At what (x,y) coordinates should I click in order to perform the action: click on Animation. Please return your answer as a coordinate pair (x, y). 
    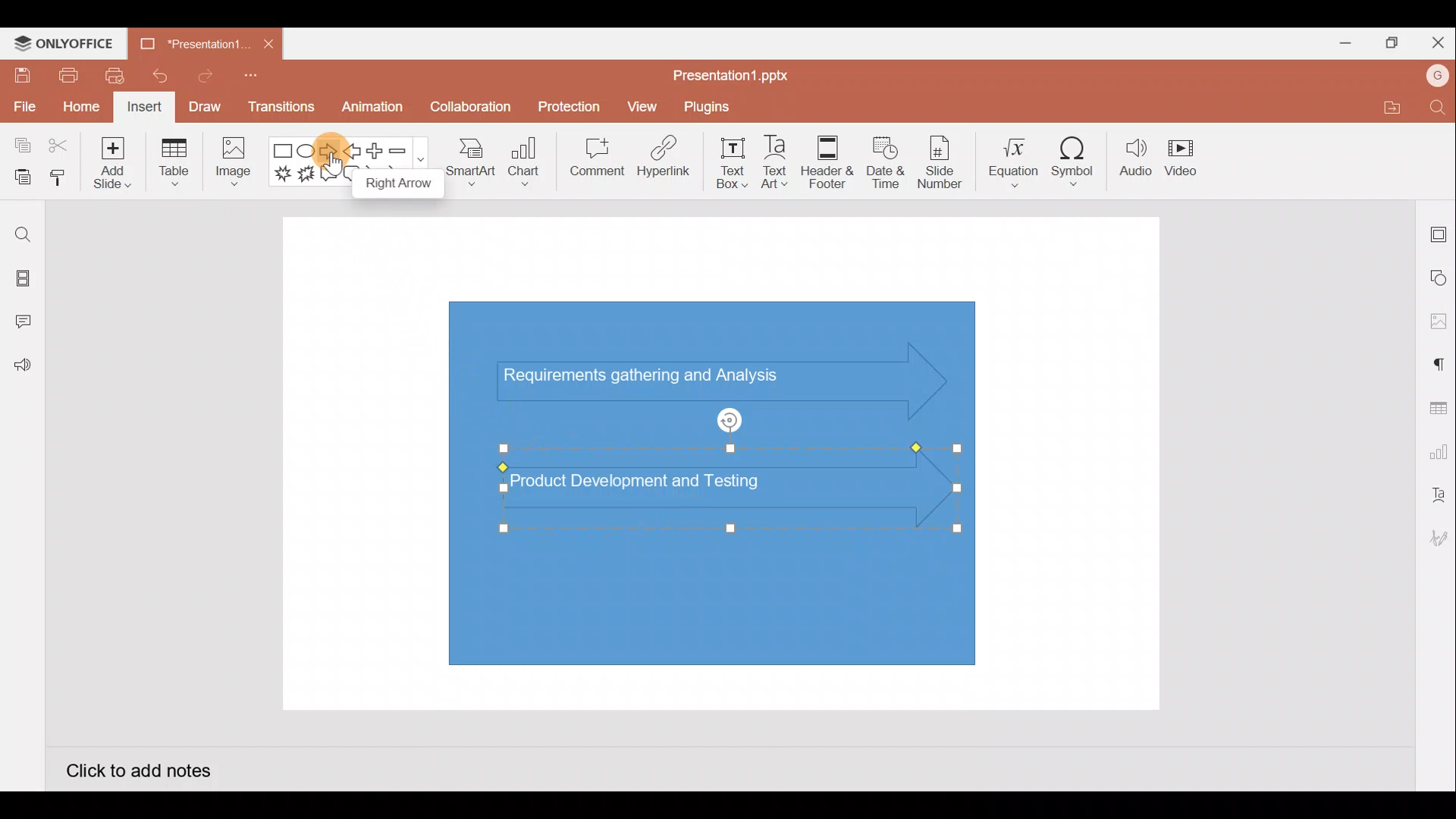
    Looking at the image, I should click on (374, 111).